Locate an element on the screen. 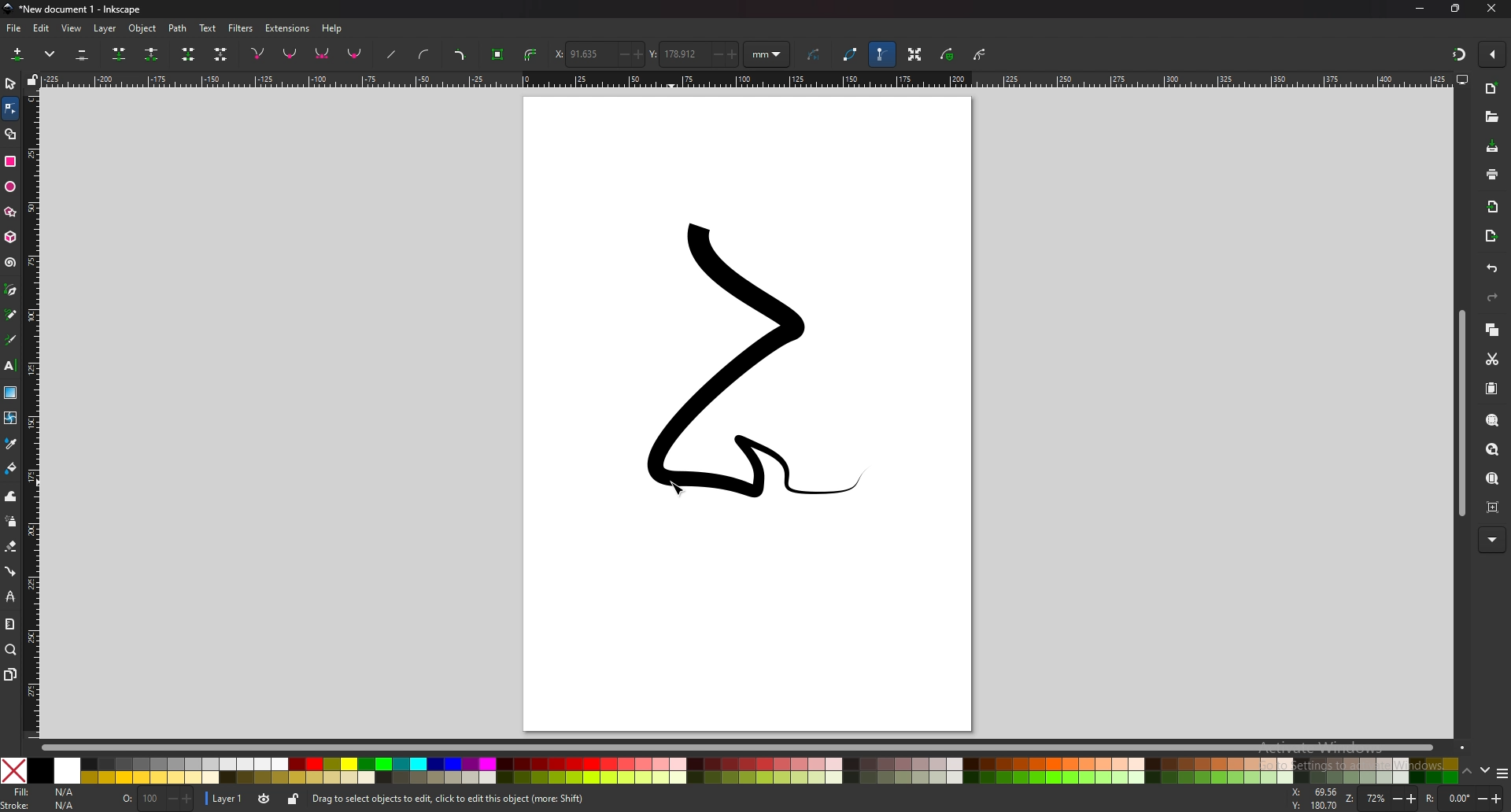 Image resolution: width=1511 pixels, height=812 pixels. more is located at coordinates (1492, 540).